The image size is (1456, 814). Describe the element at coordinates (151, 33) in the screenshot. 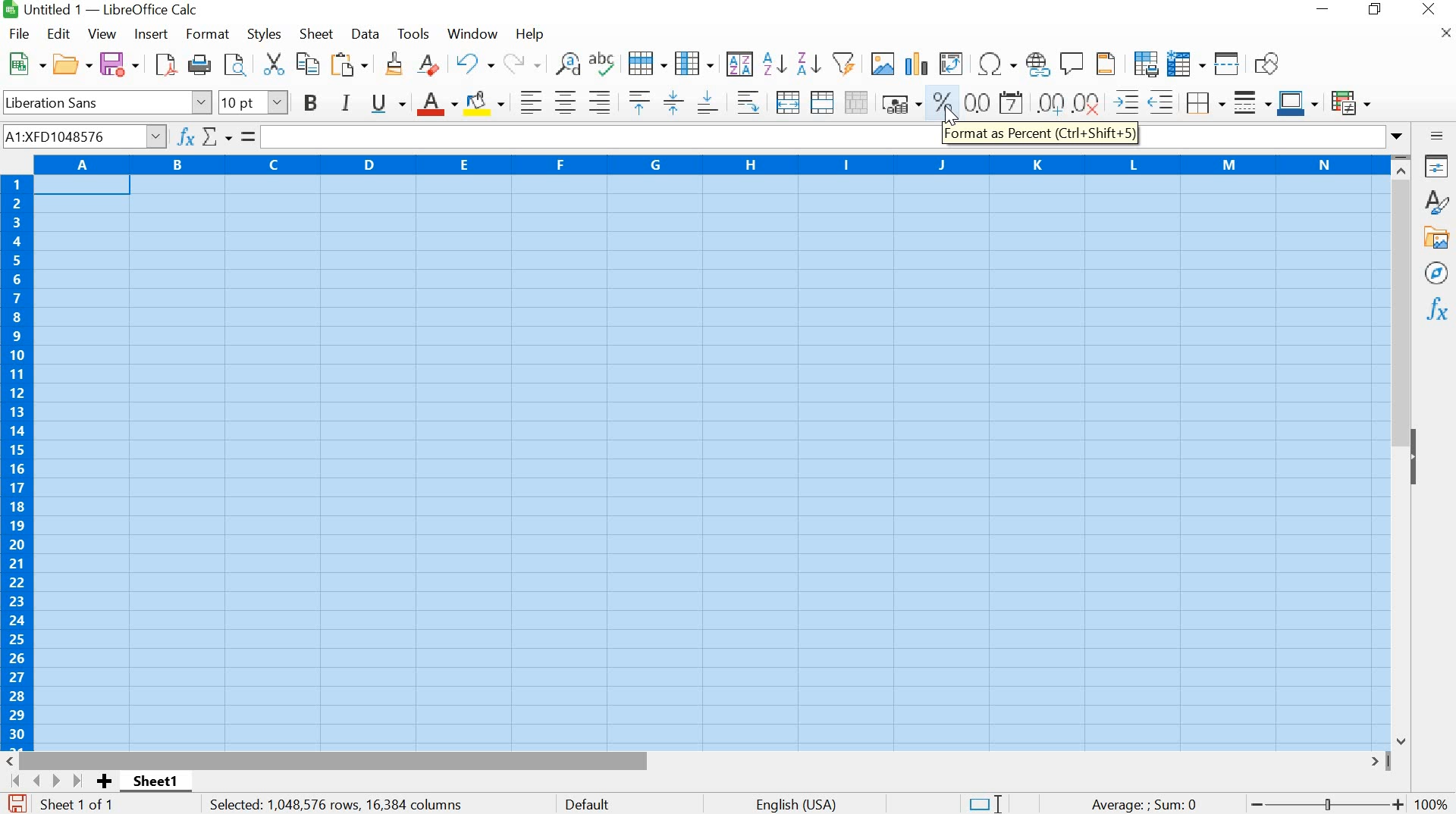

I see `INSERT` at that location.